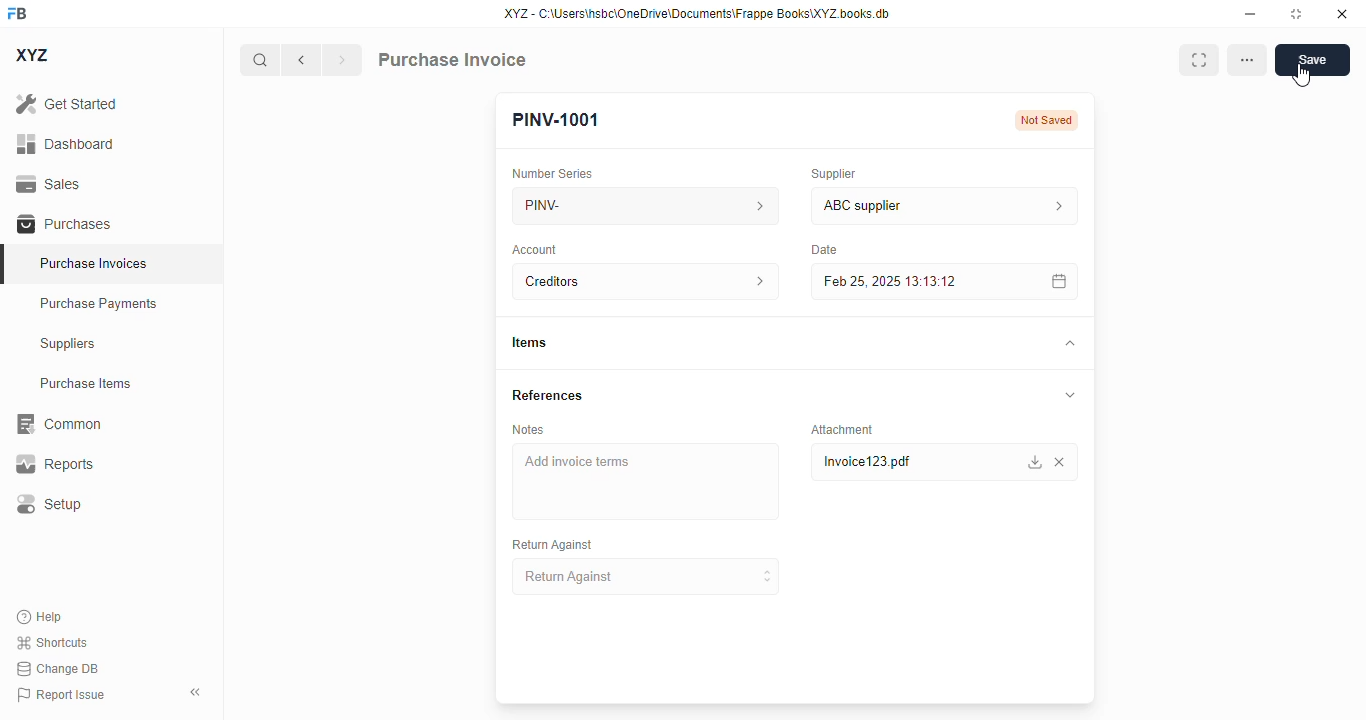 Image resolution: width=1366 pixels, height=720 pixels. What do you see at coordinates (99, 303) in the screenshot?
I see `purchase payments` at bounding box center [99, 303].